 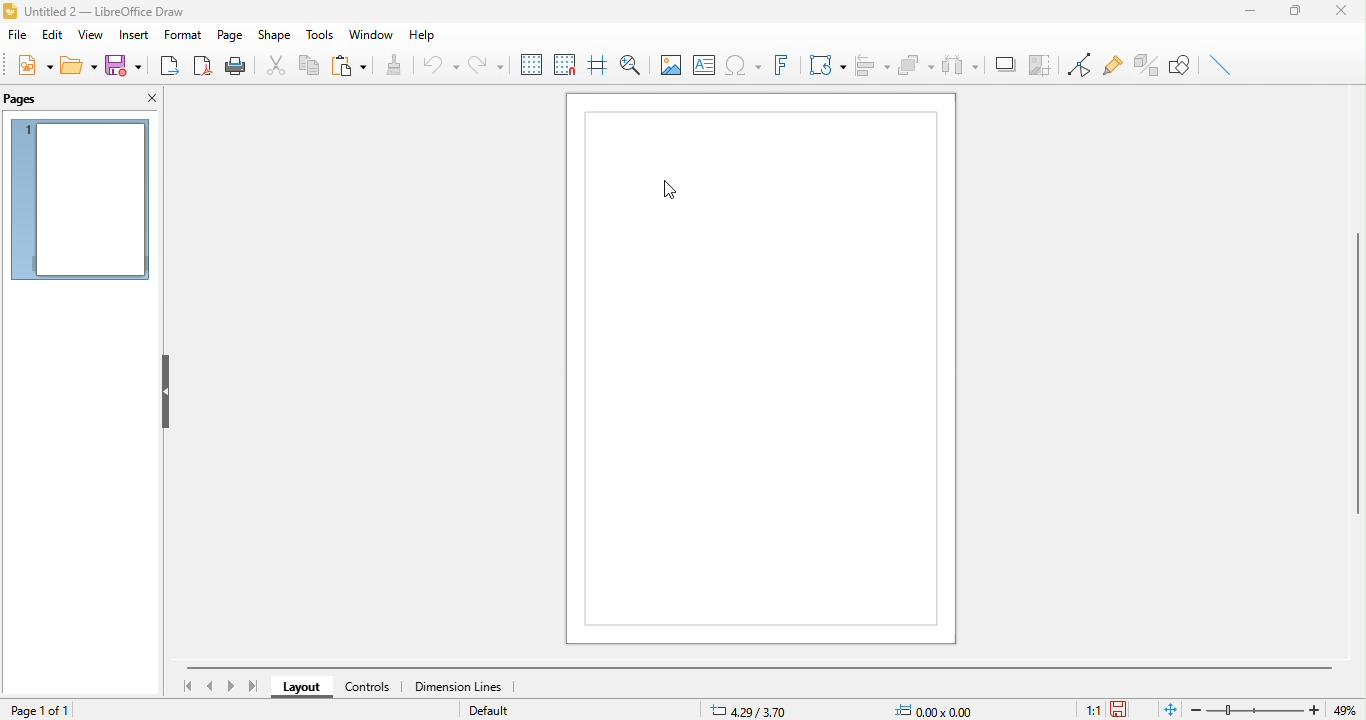 I want to click on first page, so click(x=186, y=685).